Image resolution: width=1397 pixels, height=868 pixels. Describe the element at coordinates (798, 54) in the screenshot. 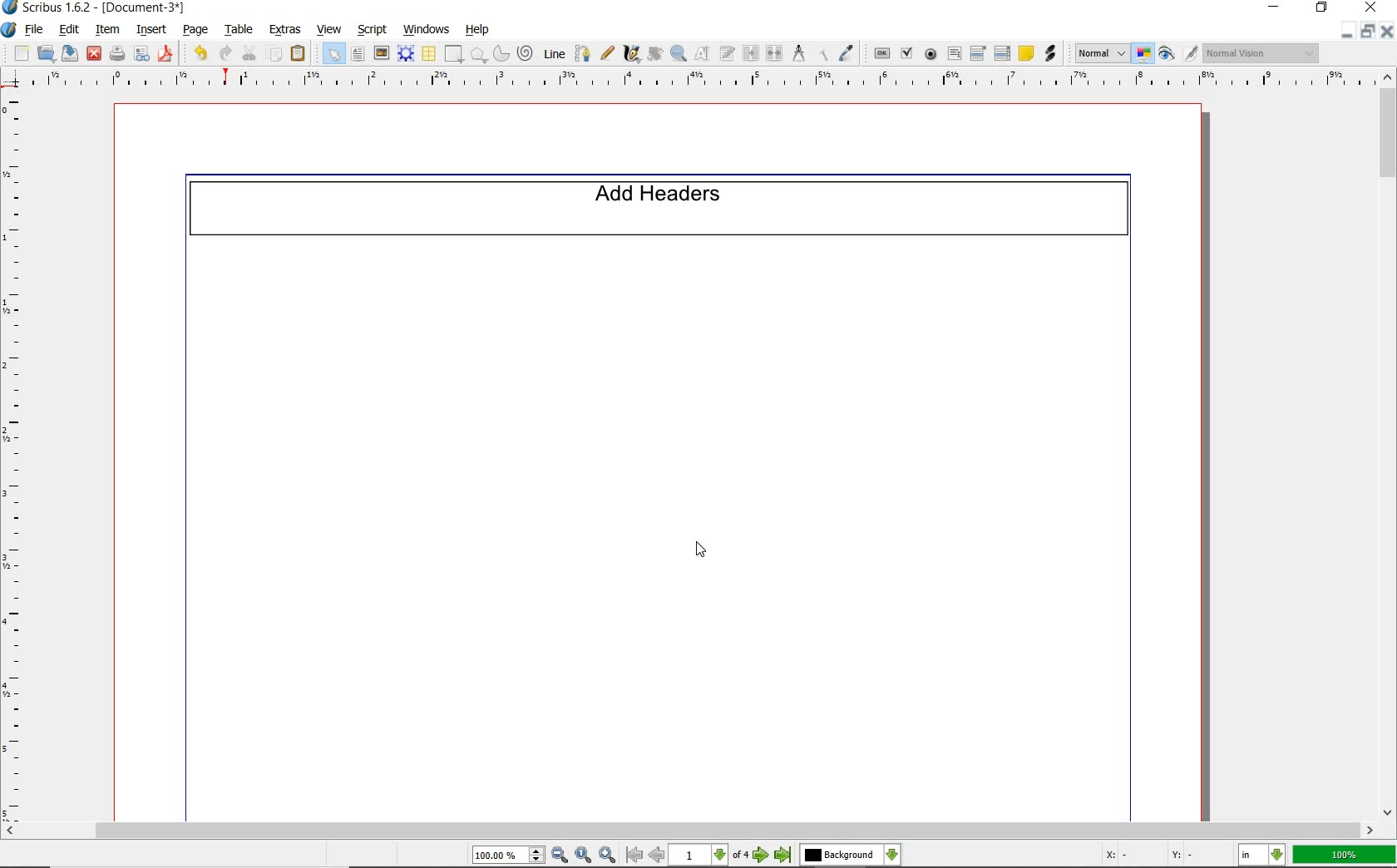

I see `measurements` at that location.